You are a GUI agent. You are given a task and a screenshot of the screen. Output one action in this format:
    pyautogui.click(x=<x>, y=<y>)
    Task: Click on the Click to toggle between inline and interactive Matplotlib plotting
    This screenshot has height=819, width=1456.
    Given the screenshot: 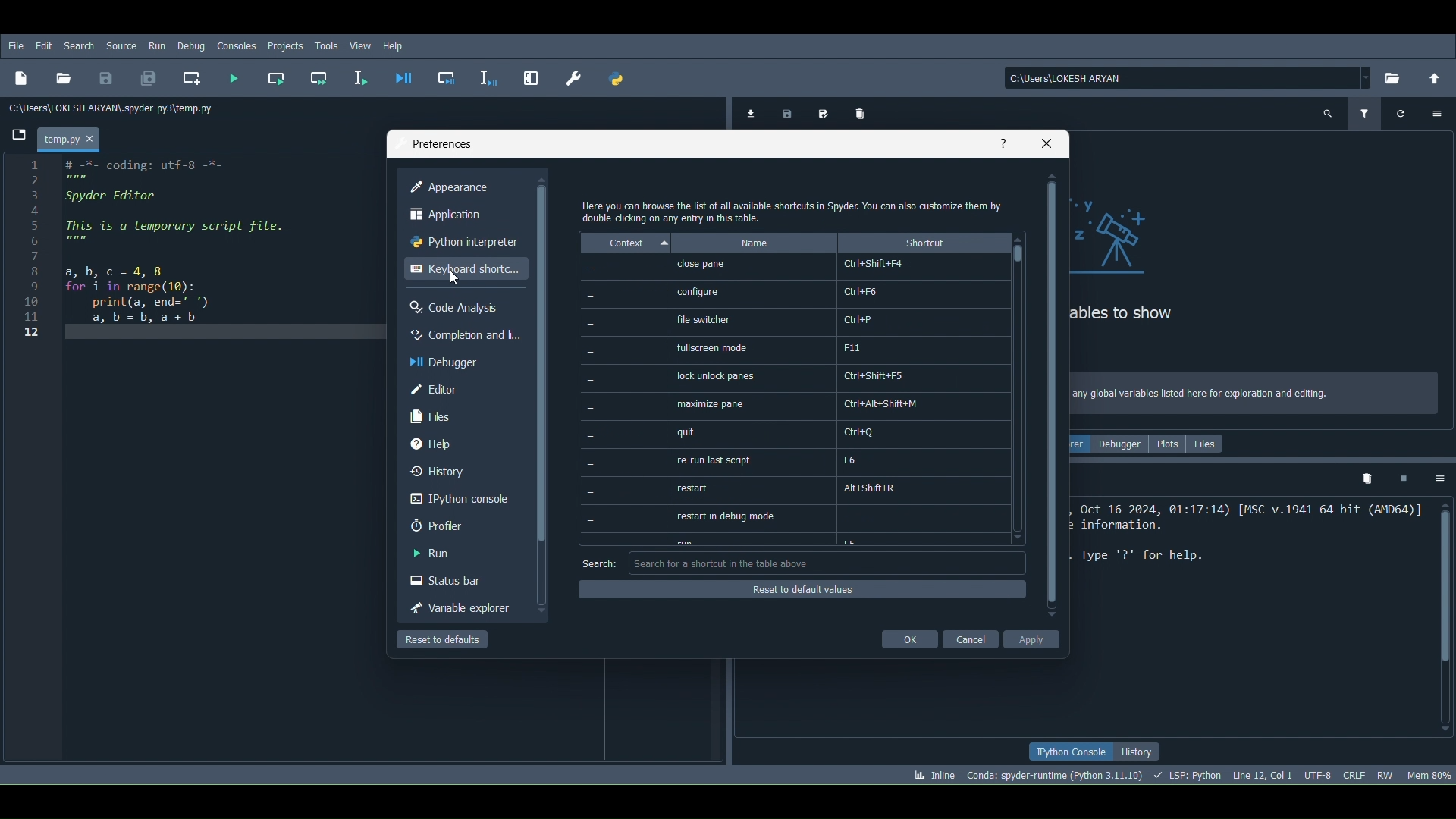 What is the action you would take?
    pyautogui.click(x=931, y=772)
    